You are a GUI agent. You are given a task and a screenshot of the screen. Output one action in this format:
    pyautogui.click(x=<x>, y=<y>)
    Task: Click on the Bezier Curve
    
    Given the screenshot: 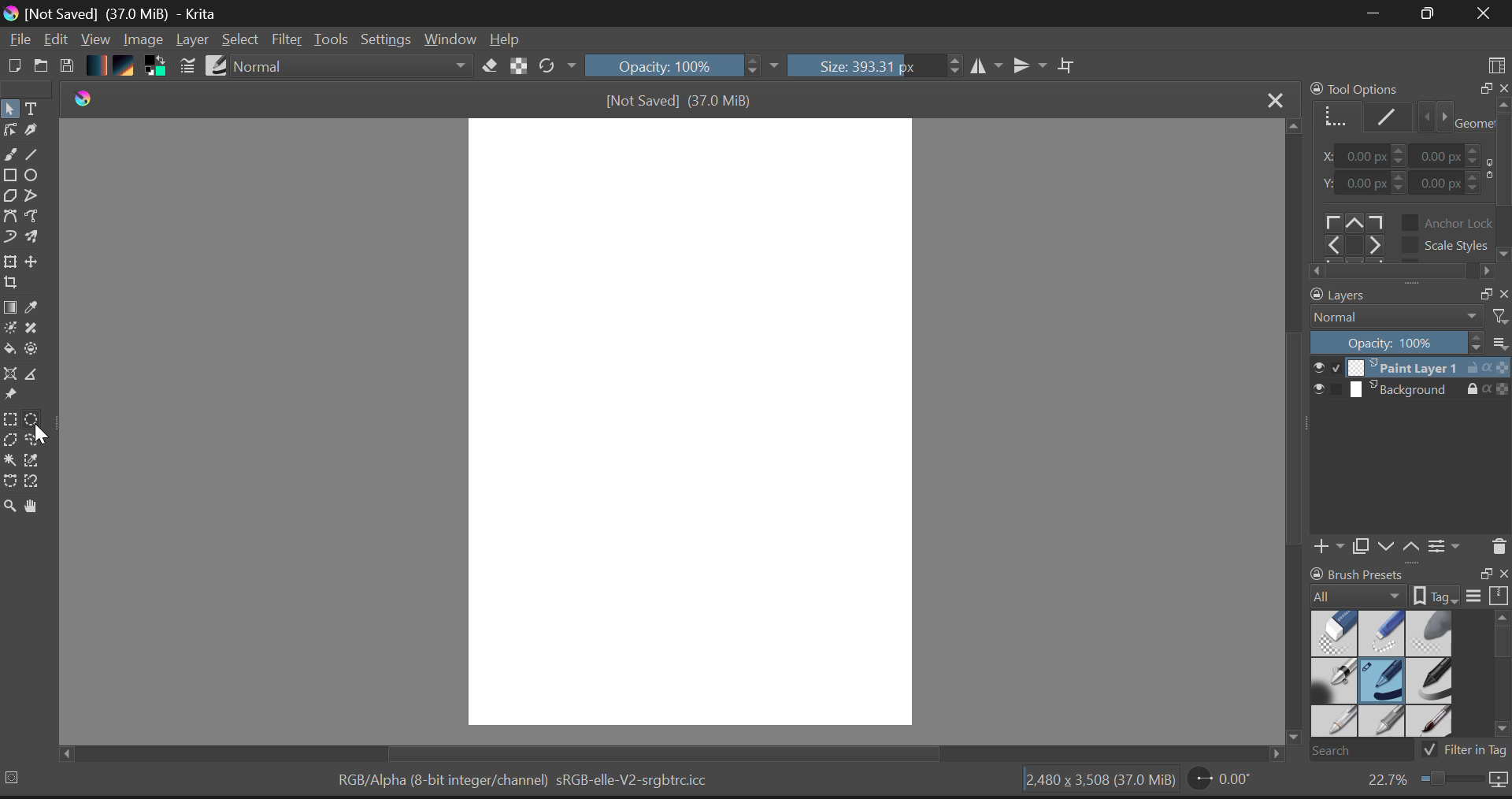 What is the action you would take?
    pyautogui.click(x=10, y=481)
    